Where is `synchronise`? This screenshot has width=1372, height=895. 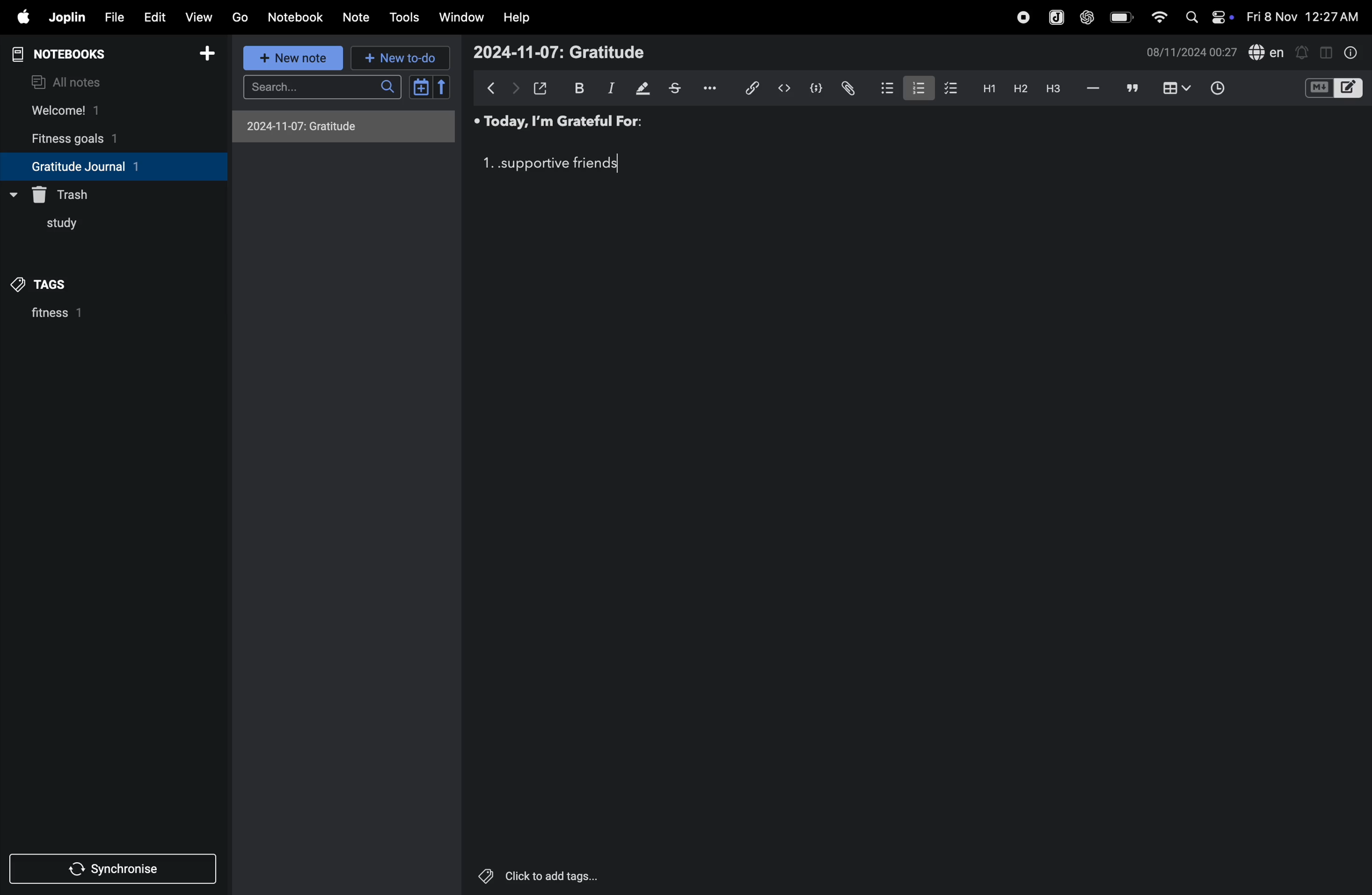 synchronise is located at coordinates (108, 871).